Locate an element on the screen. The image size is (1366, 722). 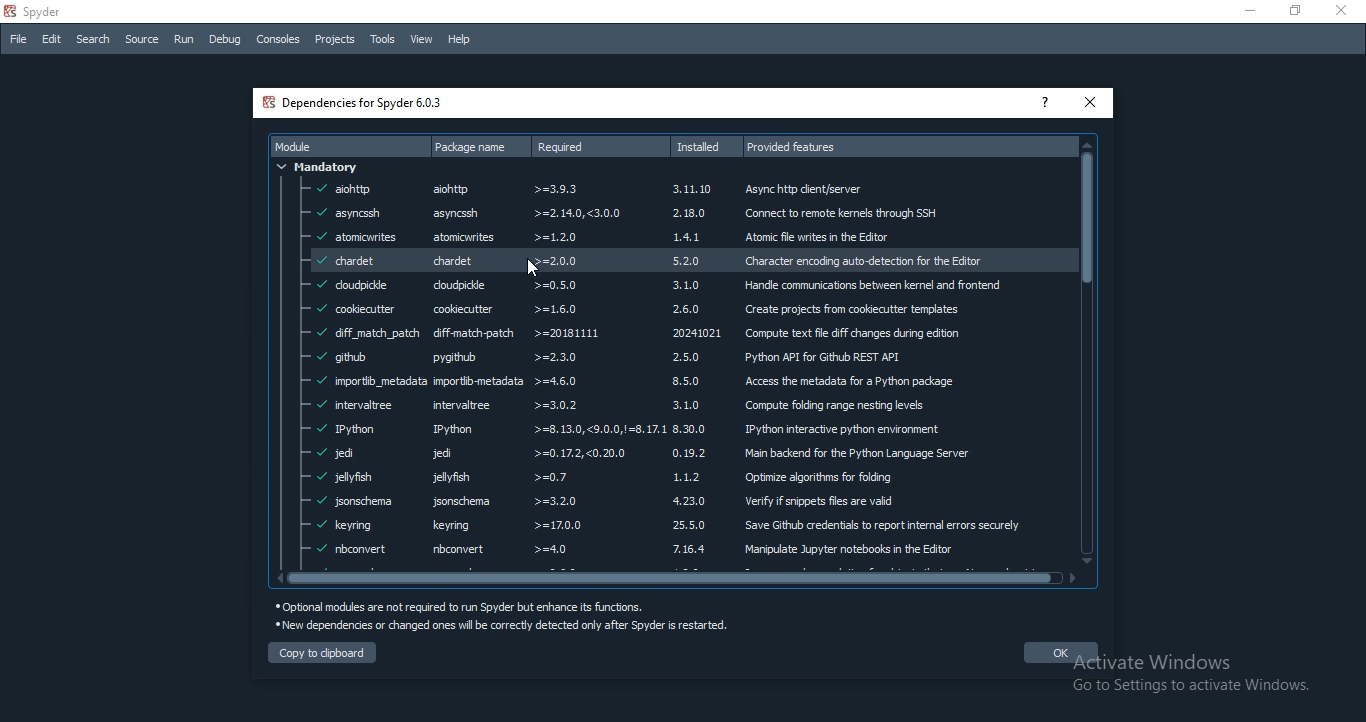
scroll bar is located at coordinates (1089, 347).